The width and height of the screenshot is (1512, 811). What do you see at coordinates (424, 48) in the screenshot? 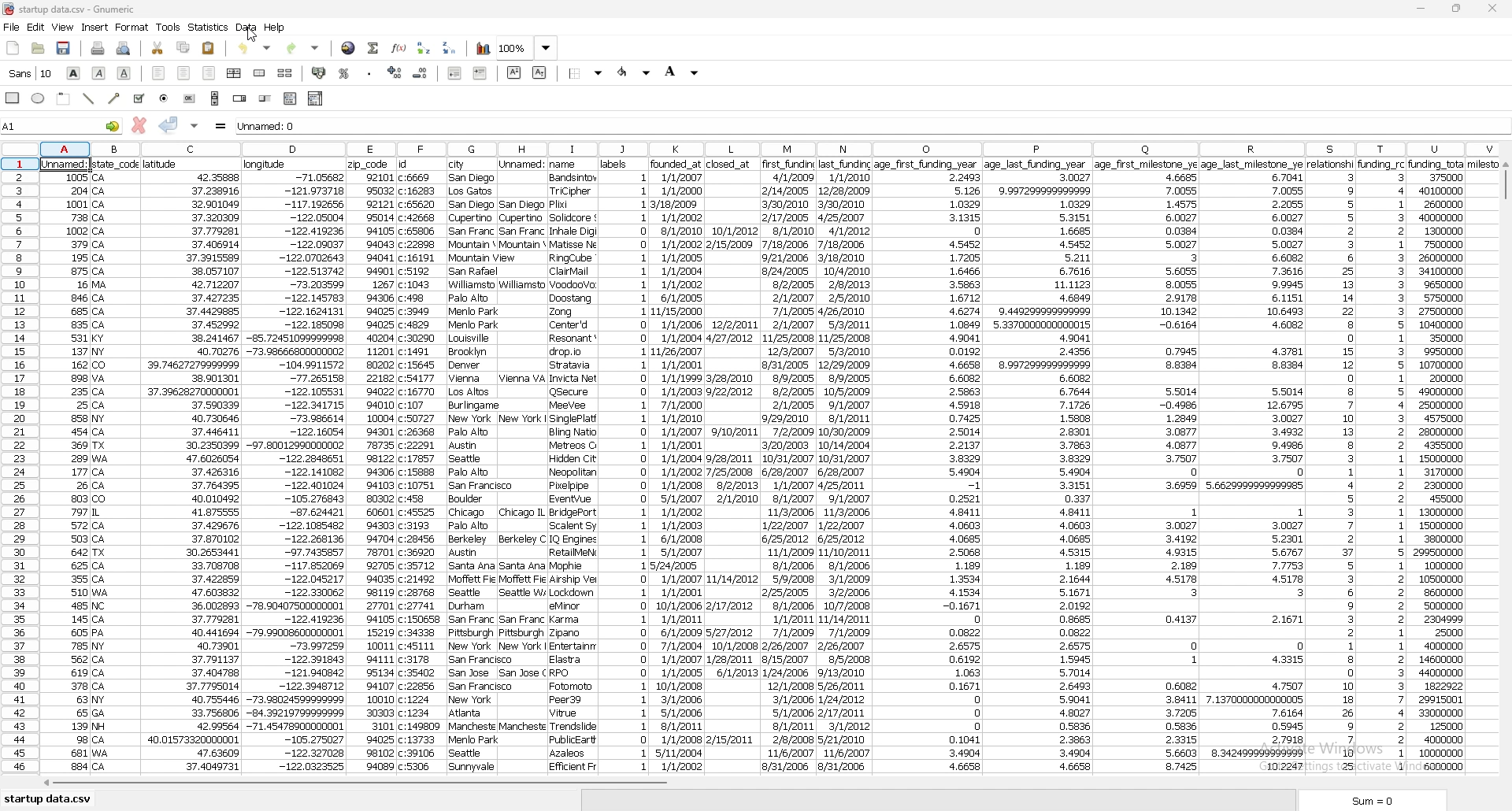
I see `sort ascending` at bounding box center [424, 48].